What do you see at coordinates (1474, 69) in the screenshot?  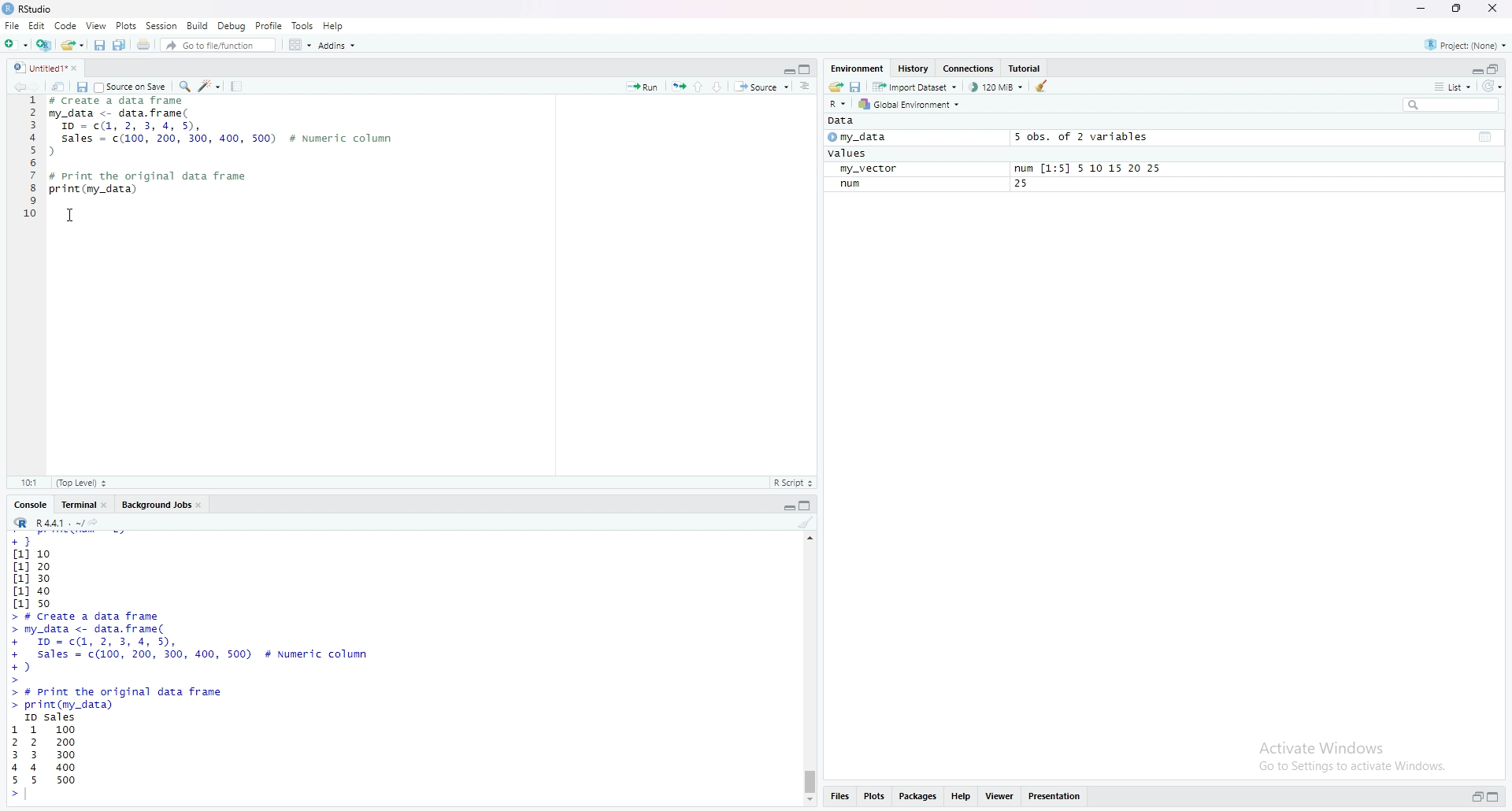 I see `minimize` at bounding box center [1474, 69].